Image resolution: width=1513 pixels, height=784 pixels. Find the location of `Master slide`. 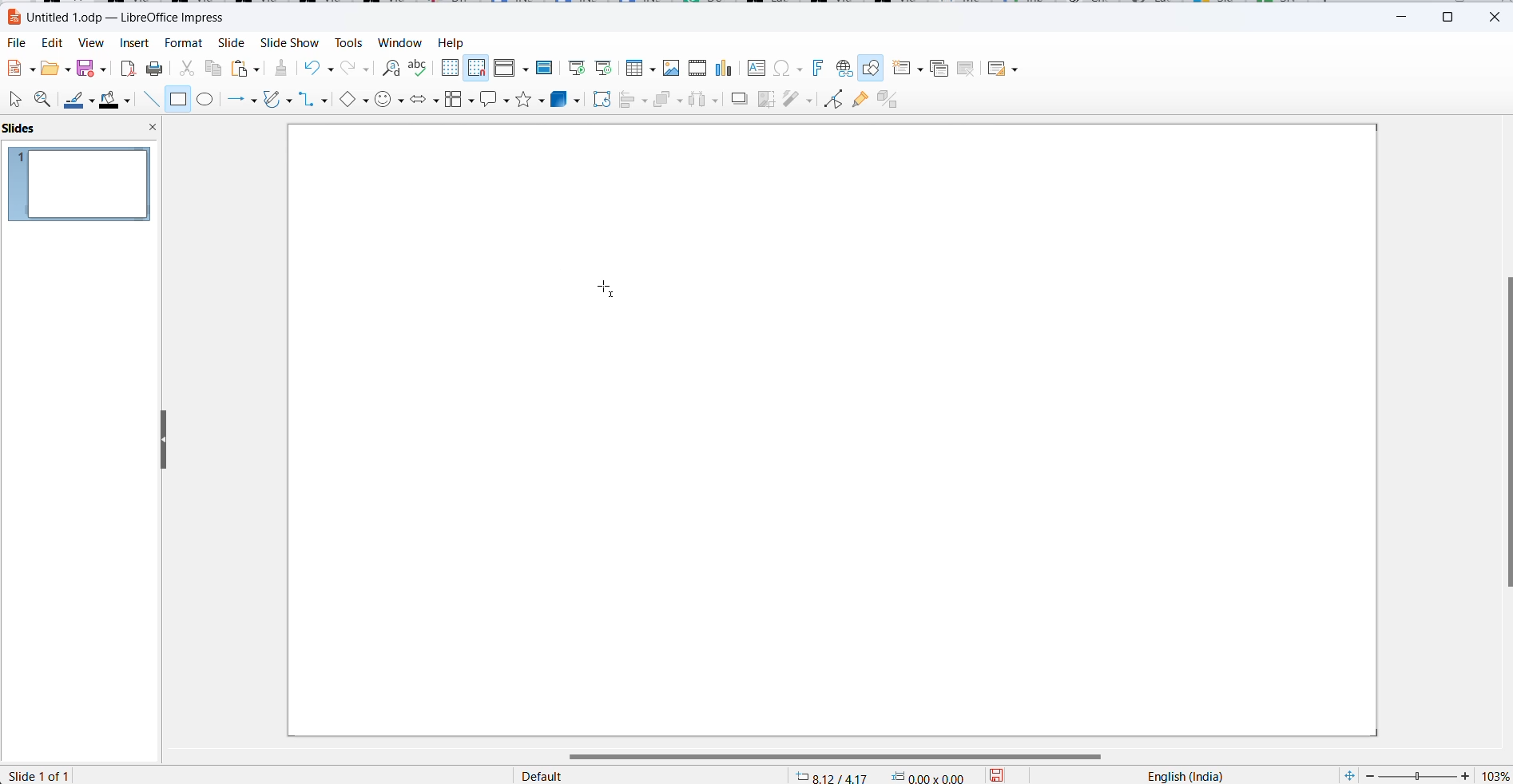

Master slide is located at coordinates (548, 67).